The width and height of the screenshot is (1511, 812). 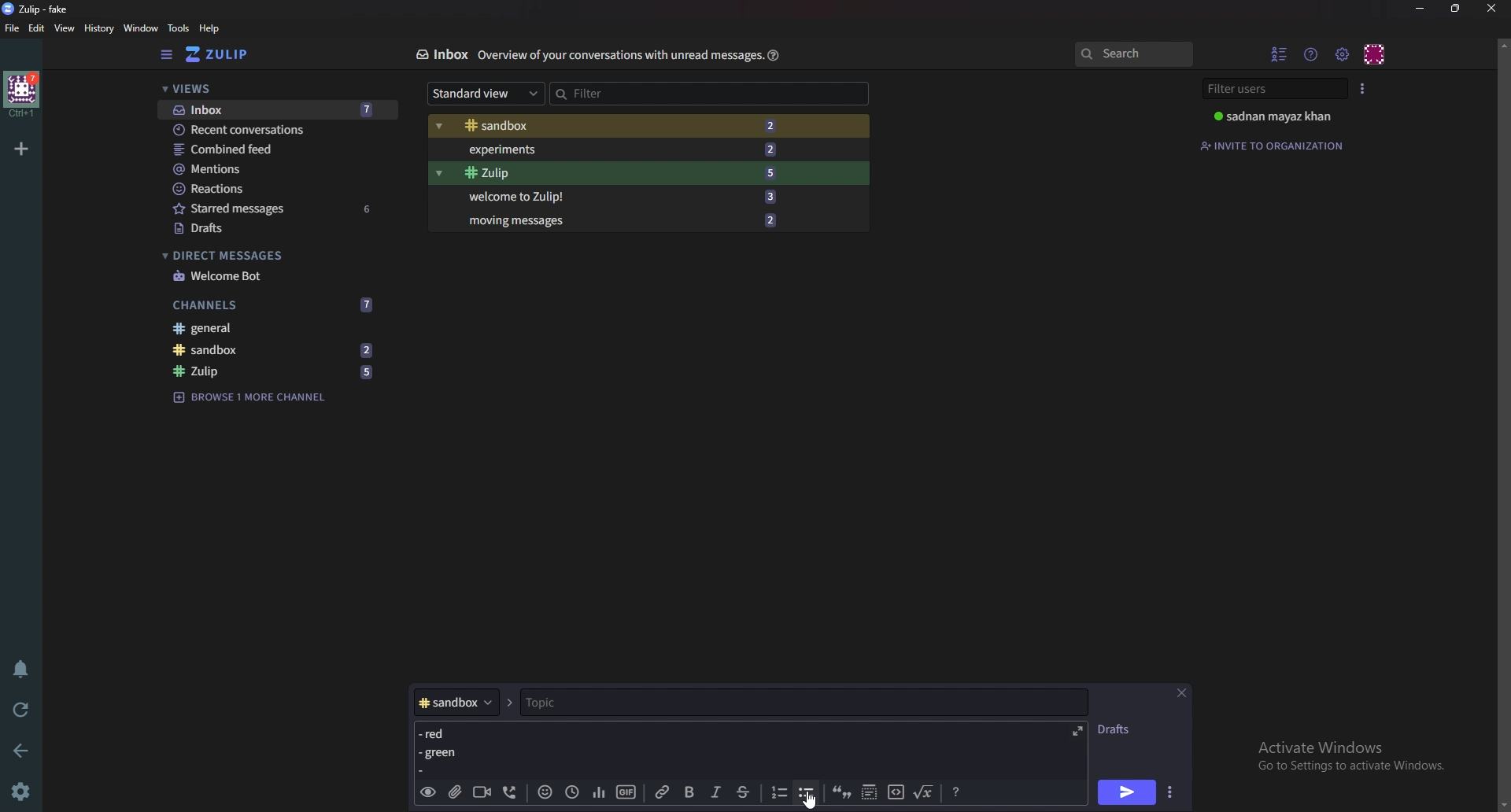 What do you see at coordinates (20, 793) in the screenshot?
I see `Settings` at bounding box center [20, 793].